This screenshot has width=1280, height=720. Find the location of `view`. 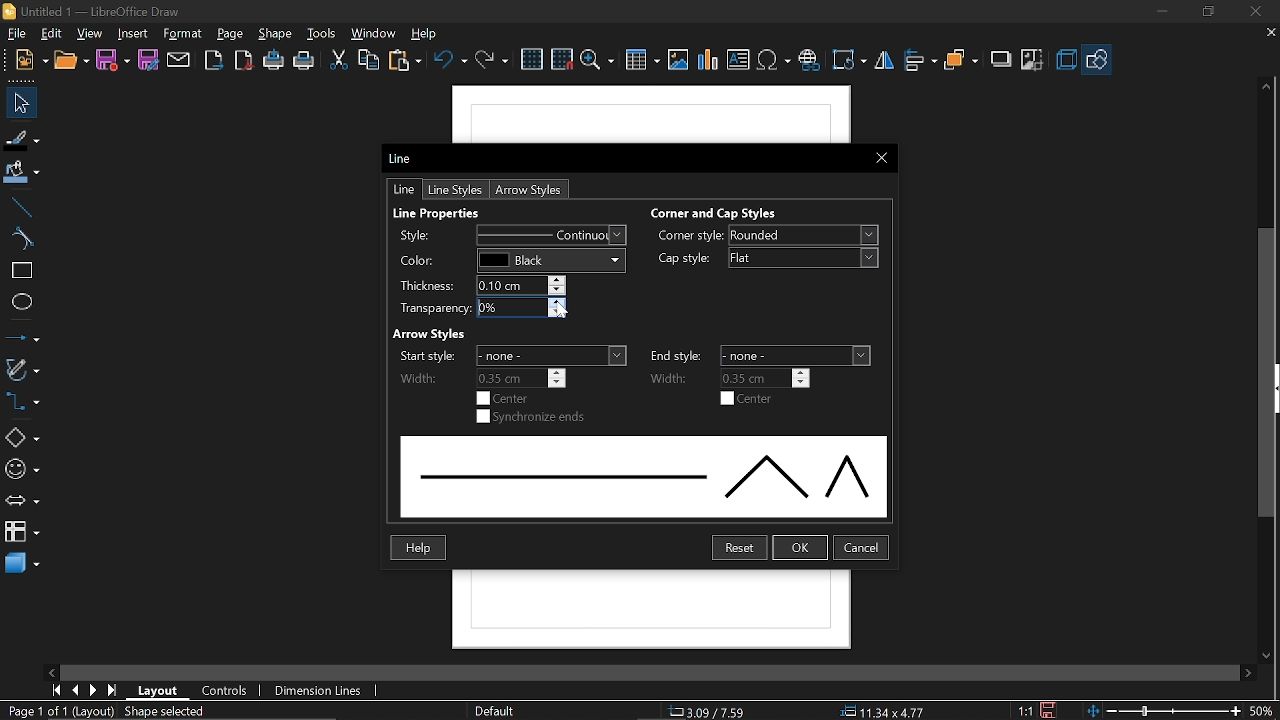

view is located at coordinates (91, 35).